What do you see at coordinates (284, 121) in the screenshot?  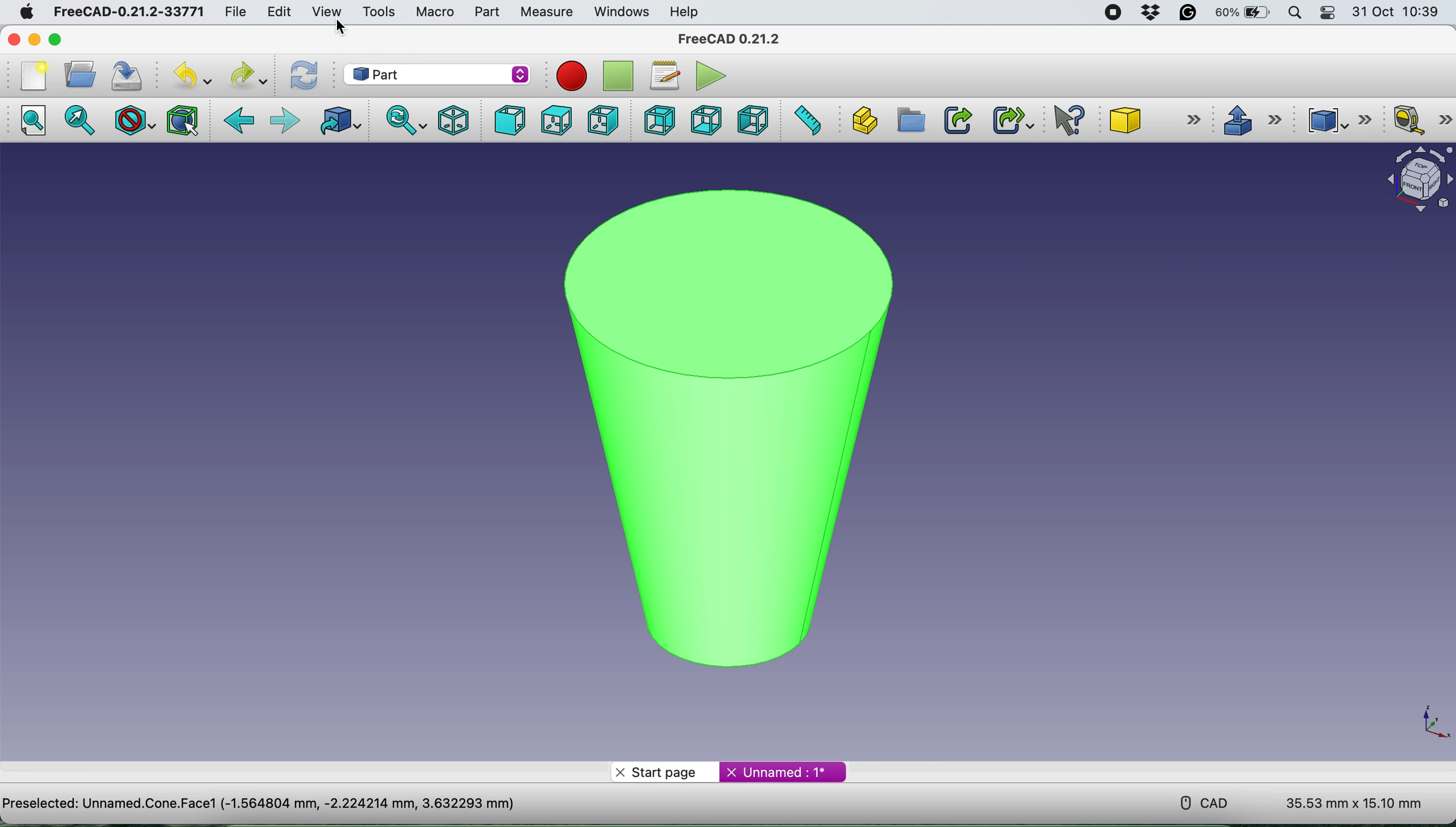 I see `forward` at bounding box center [284, 121].